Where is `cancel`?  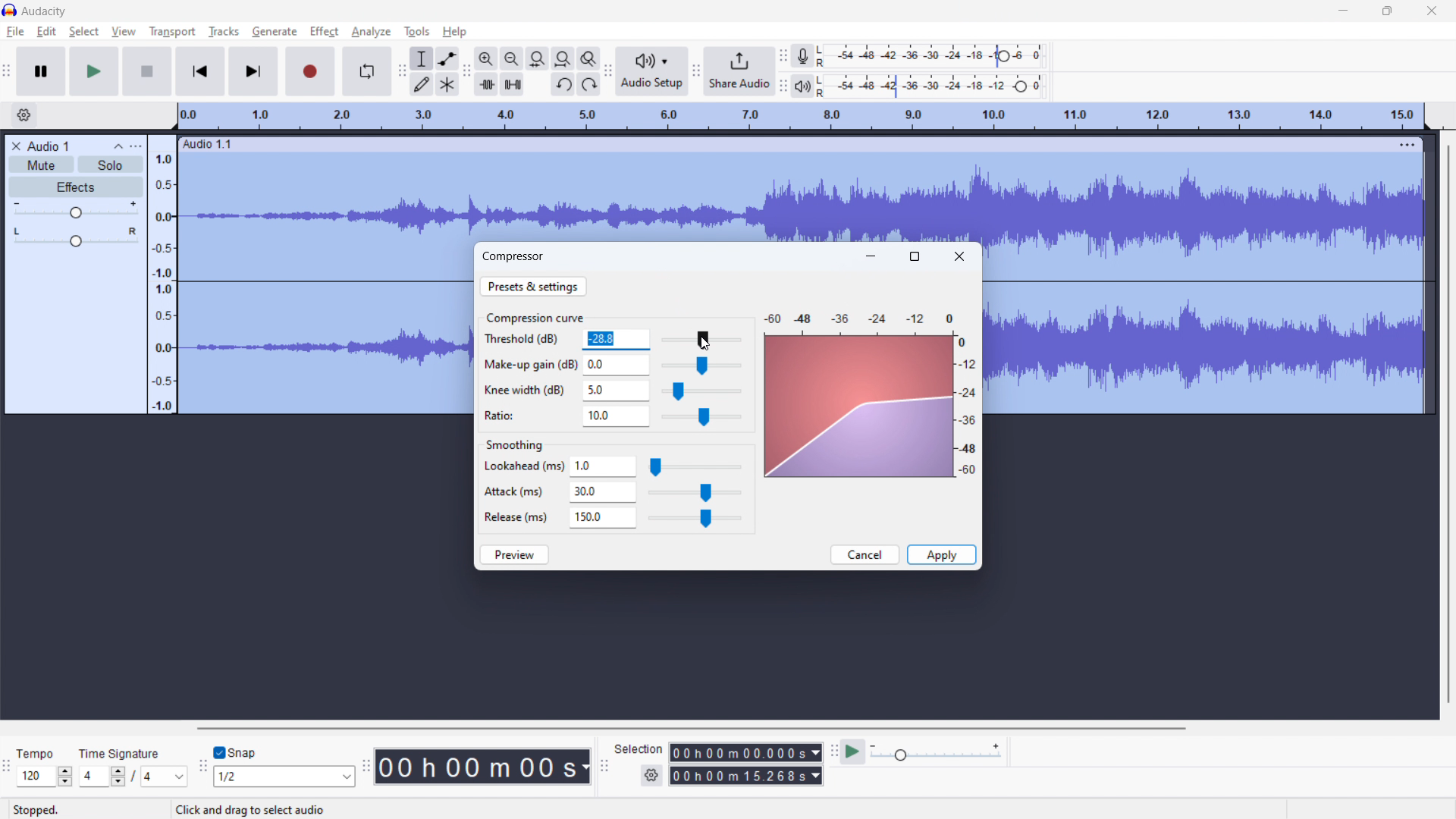
cancel is located at coordinates (864, 554).